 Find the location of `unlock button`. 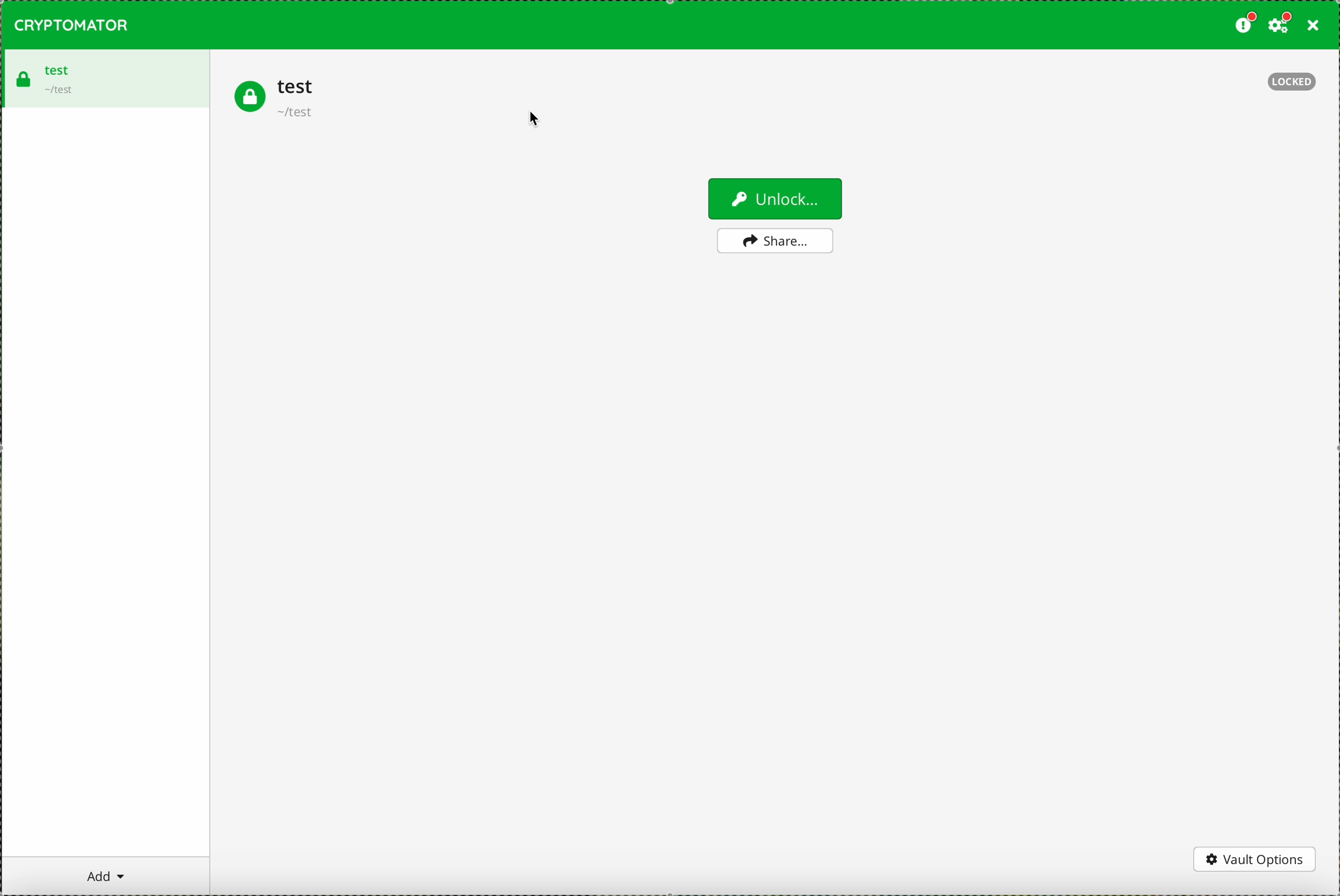

unlock button is located at coordinates (774, 198).